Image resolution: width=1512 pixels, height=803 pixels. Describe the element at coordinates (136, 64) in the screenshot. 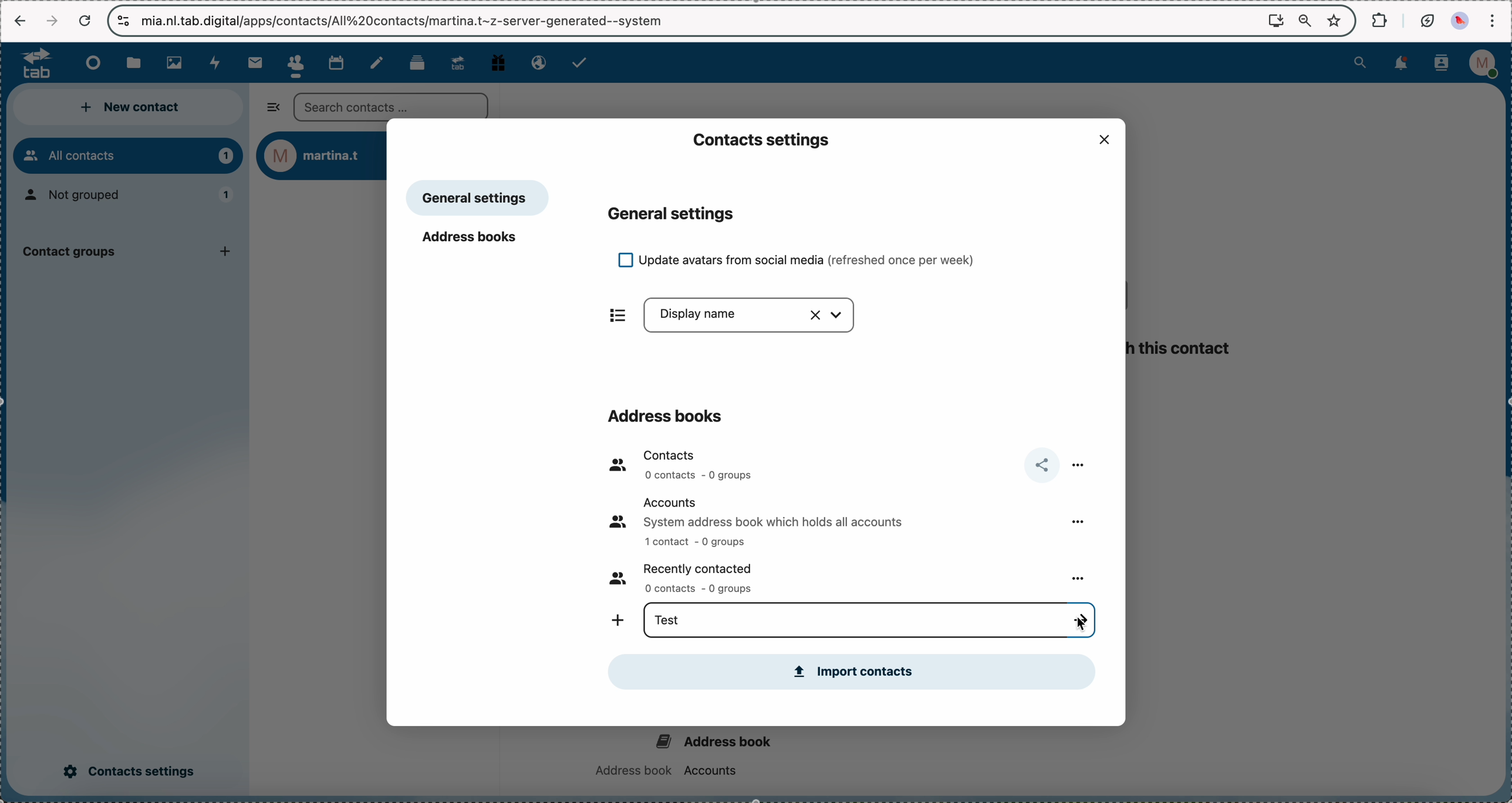

I see `files` at that location.